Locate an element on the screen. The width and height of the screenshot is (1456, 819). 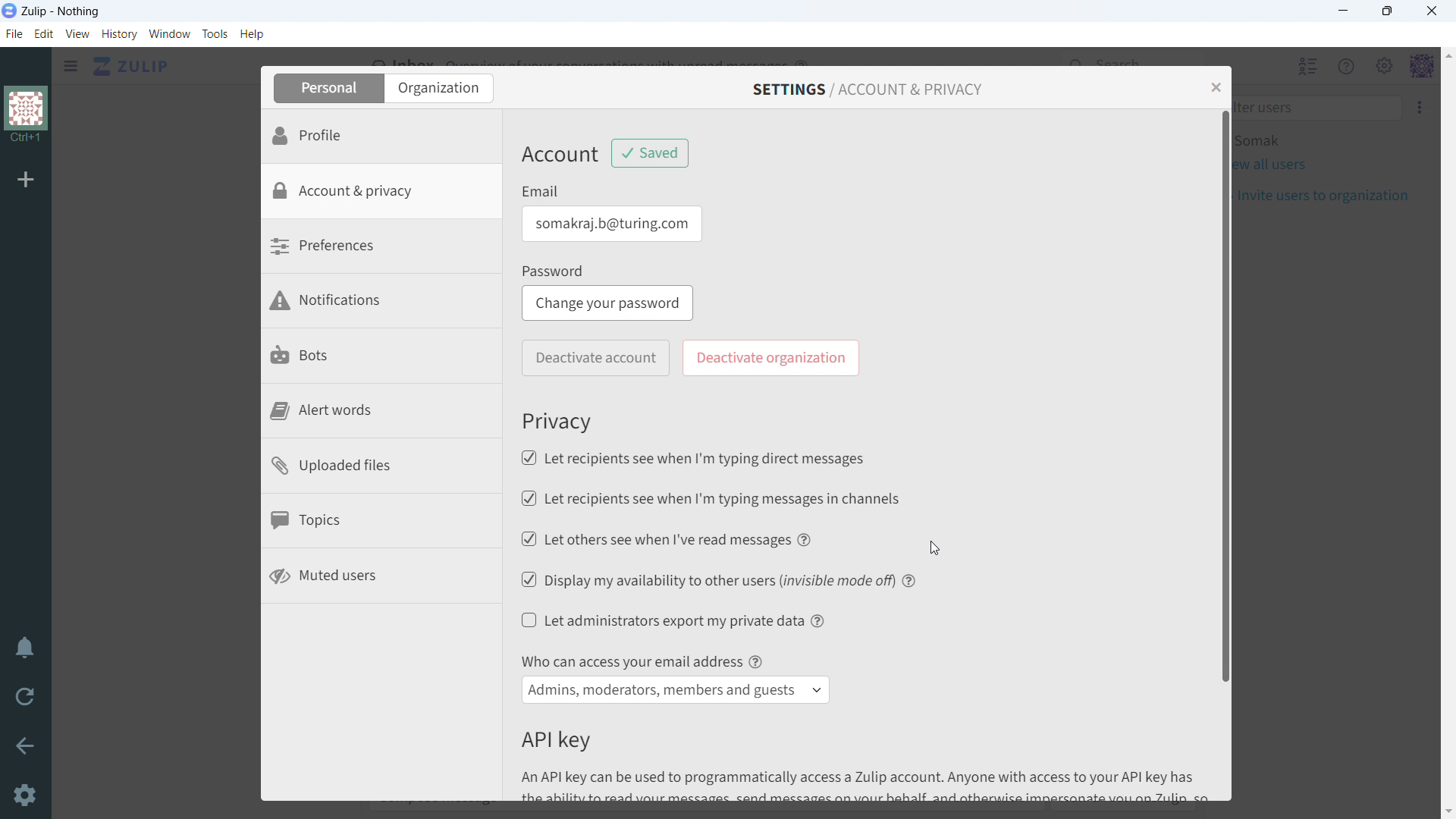
let others see when i've read messages is located at coordinates (654, 538).